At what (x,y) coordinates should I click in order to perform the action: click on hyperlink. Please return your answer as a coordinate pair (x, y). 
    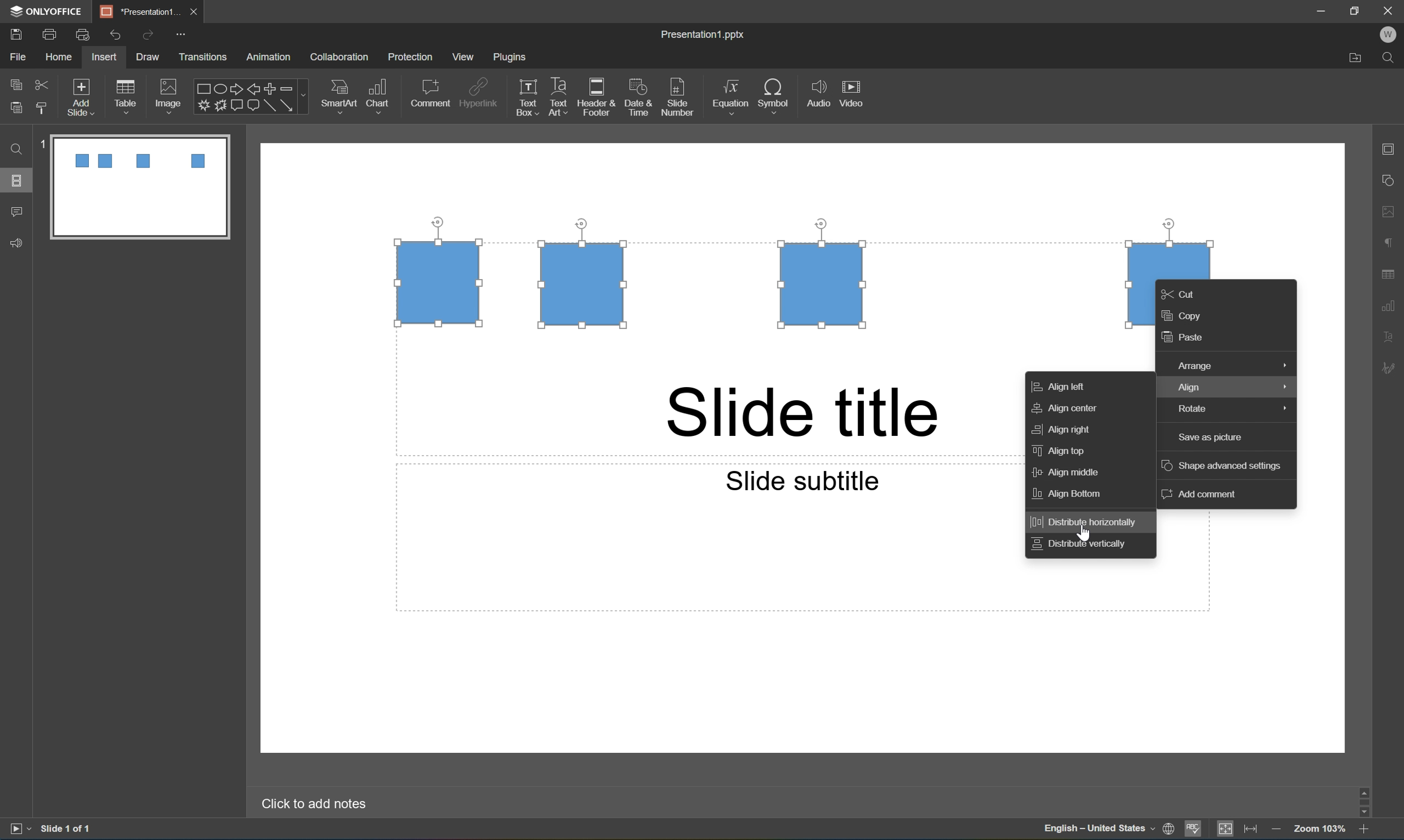
    Looking at the image, I should click on (480, 91).